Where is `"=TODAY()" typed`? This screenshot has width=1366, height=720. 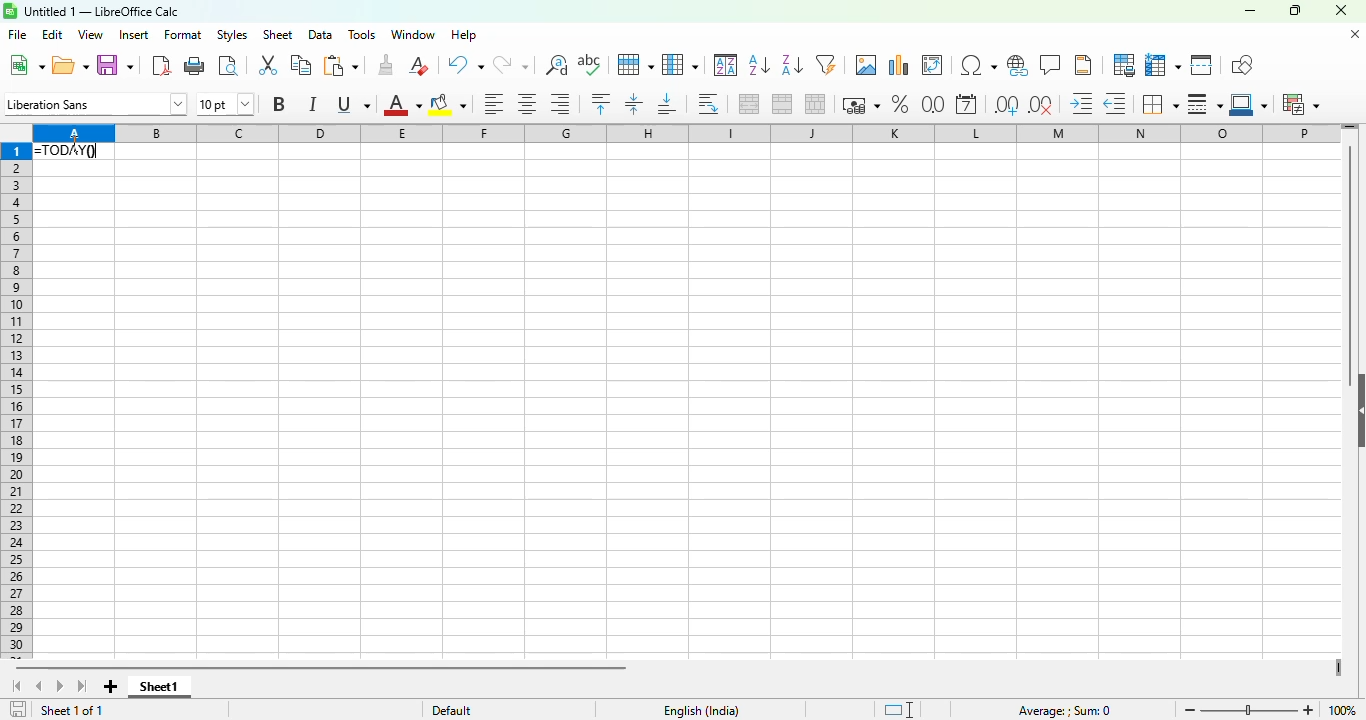 "=TODAY()" typed is located at coordinates (74, 151).